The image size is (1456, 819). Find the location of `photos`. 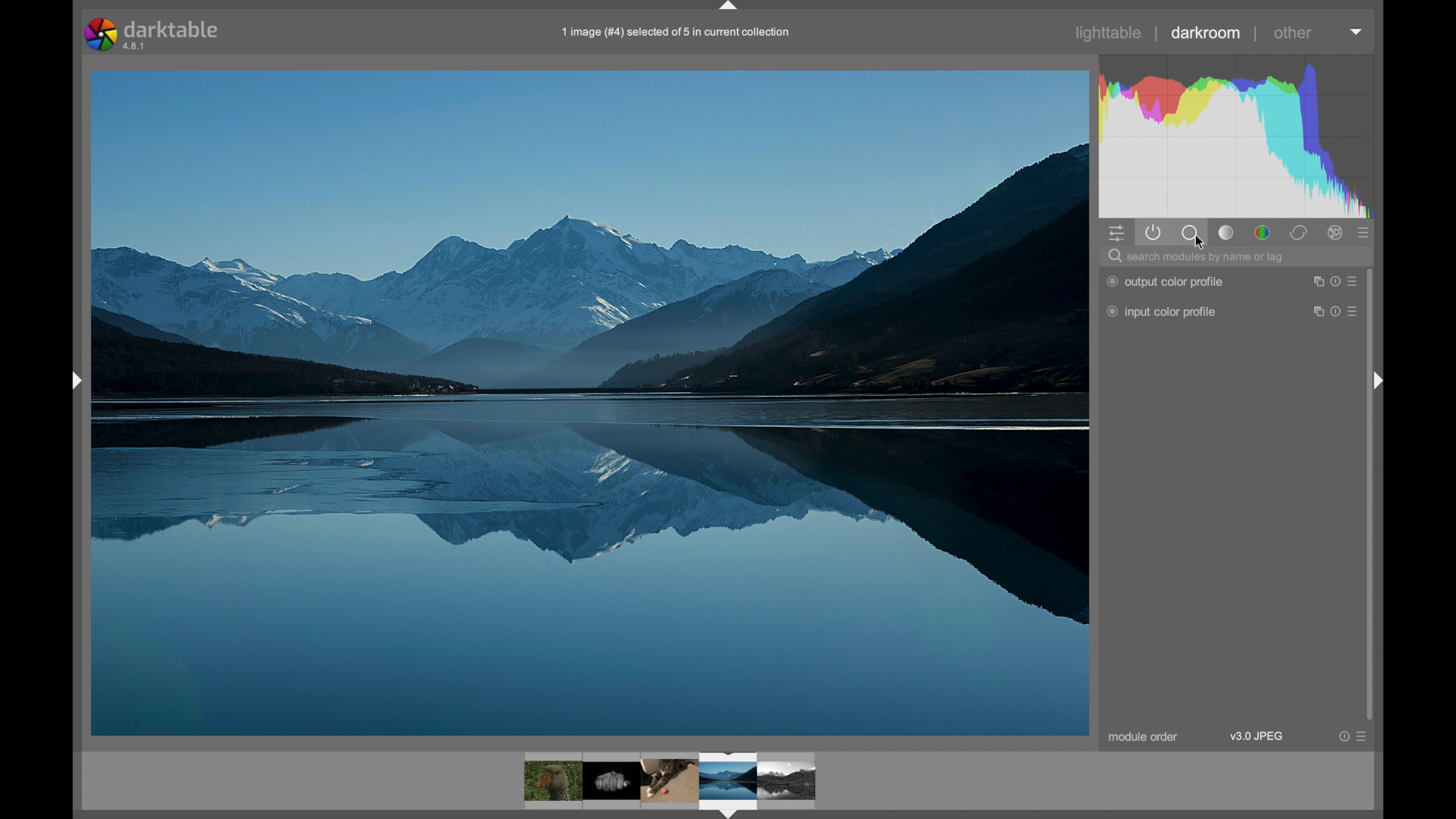

photos is located at coordinates (670, 783).